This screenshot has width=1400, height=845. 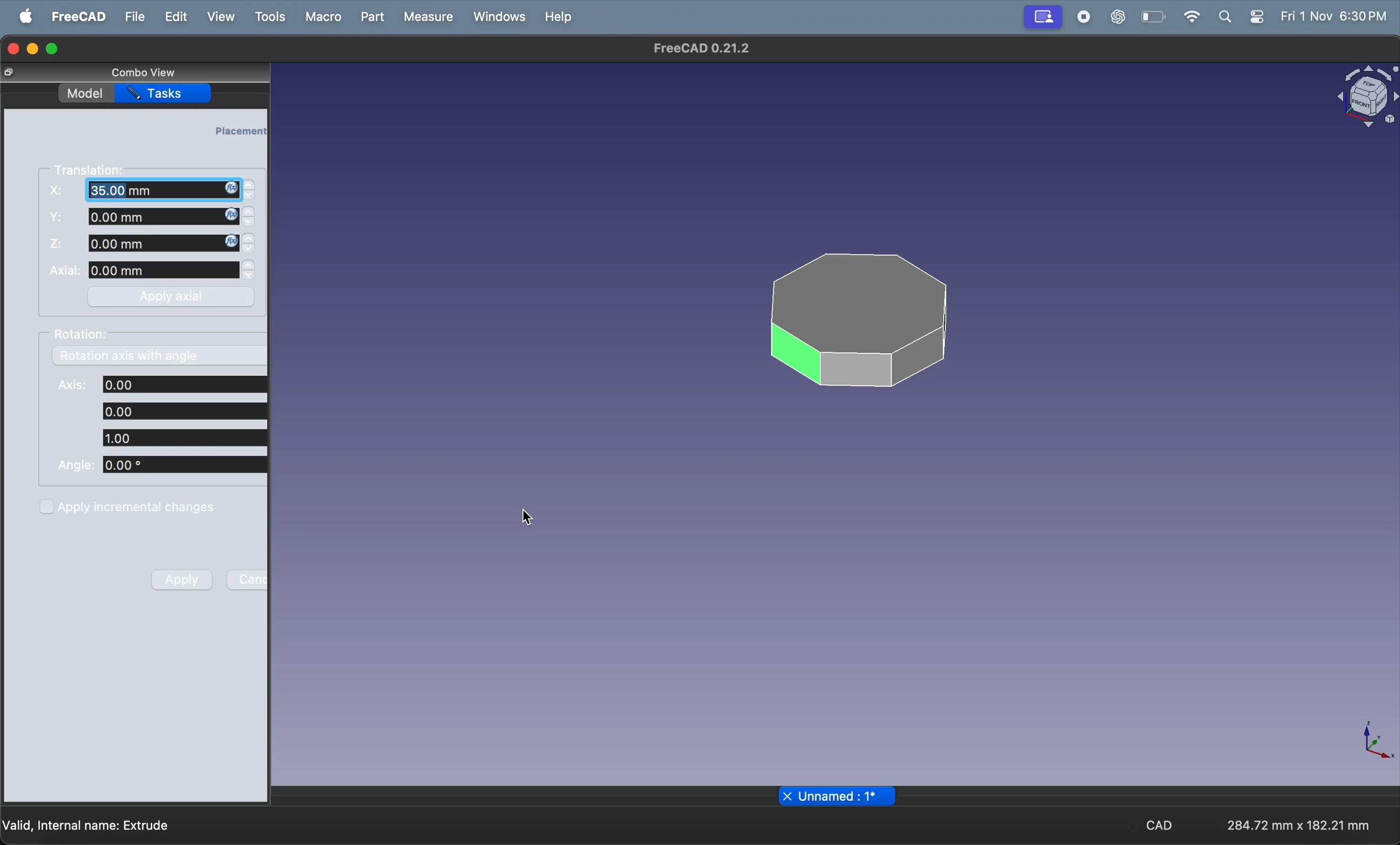 I want to click on down, so click(x=249, y=197).